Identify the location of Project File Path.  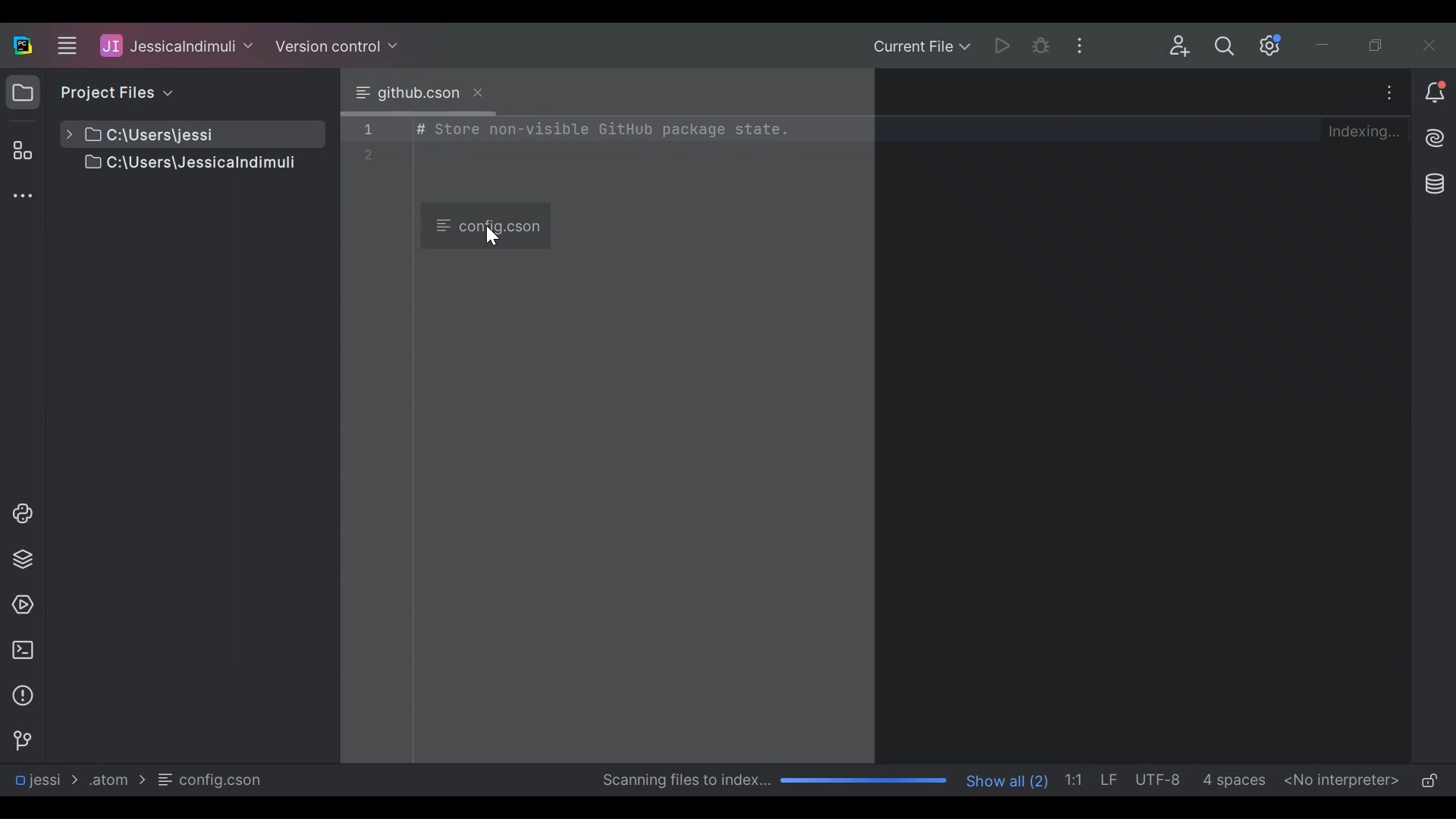
(45, 780).